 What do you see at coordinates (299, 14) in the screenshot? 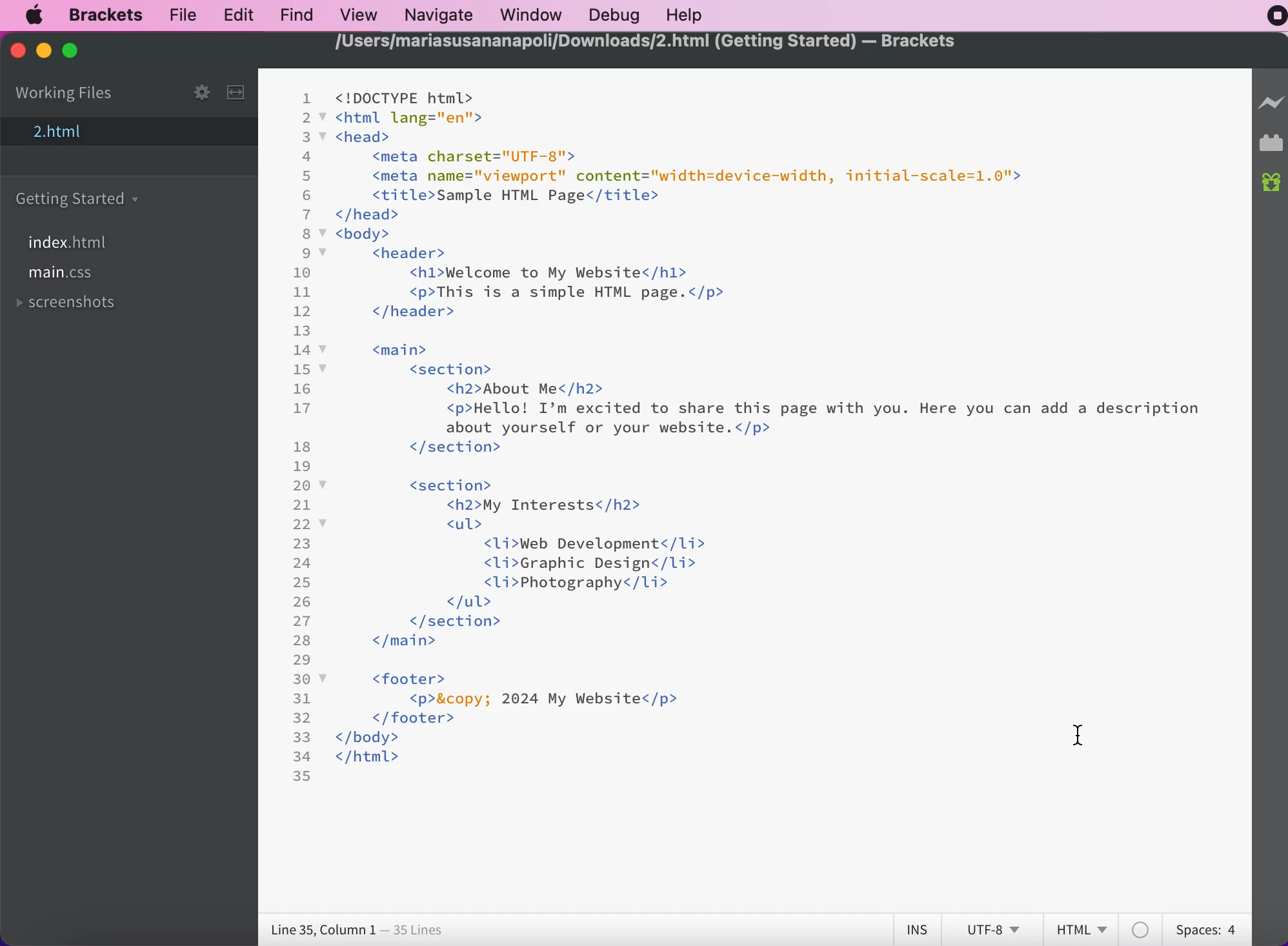
I see `find` at bounding box center [299, 14].